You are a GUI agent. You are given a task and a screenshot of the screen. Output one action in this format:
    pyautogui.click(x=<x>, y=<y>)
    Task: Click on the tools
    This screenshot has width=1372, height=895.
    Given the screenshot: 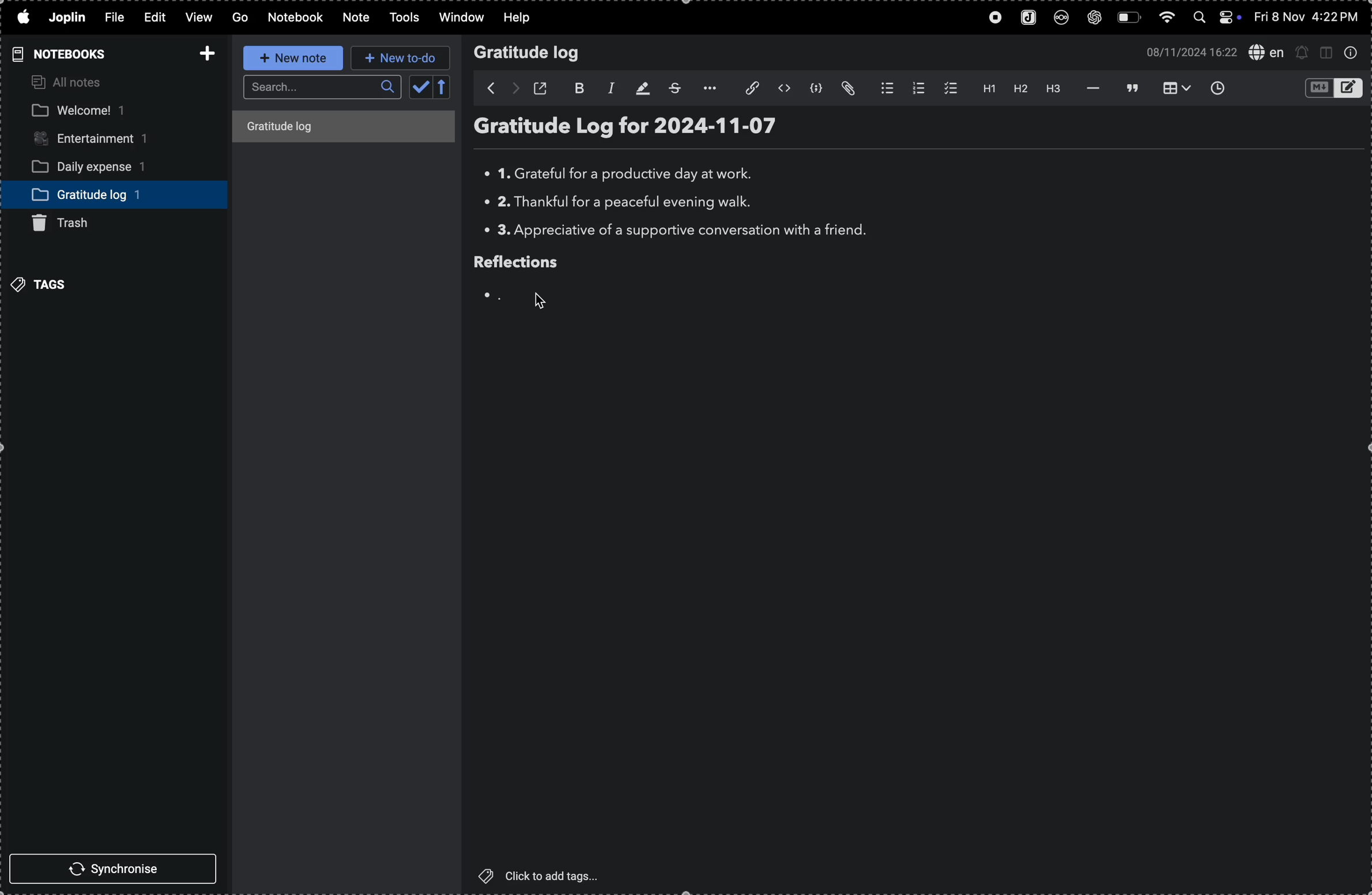 What is the action you would take?
    pyautogui.click(x=408, y=17)
    